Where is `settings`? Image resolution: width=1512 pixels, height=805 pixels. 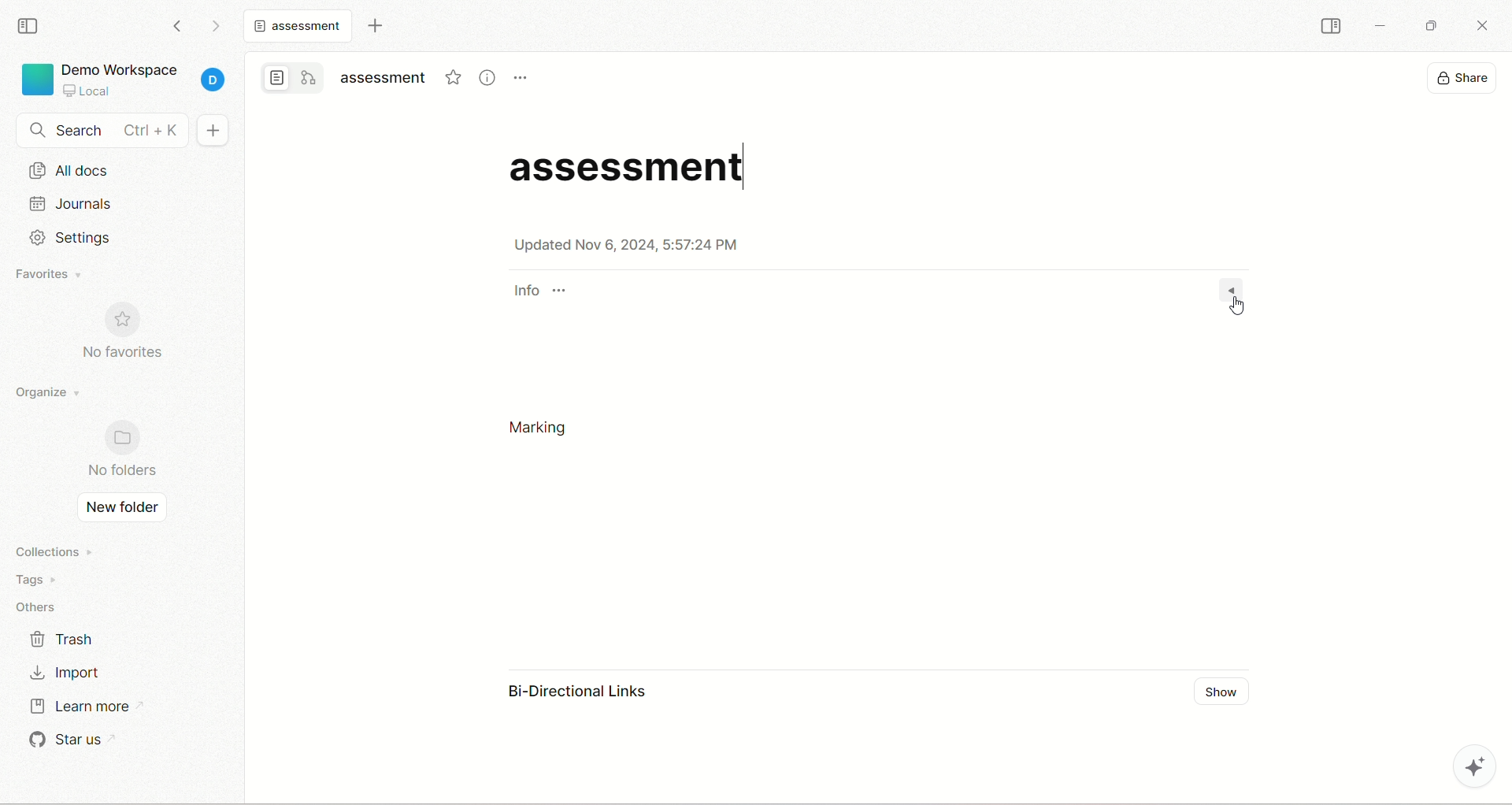 settings is located at coordinates (82, 238).